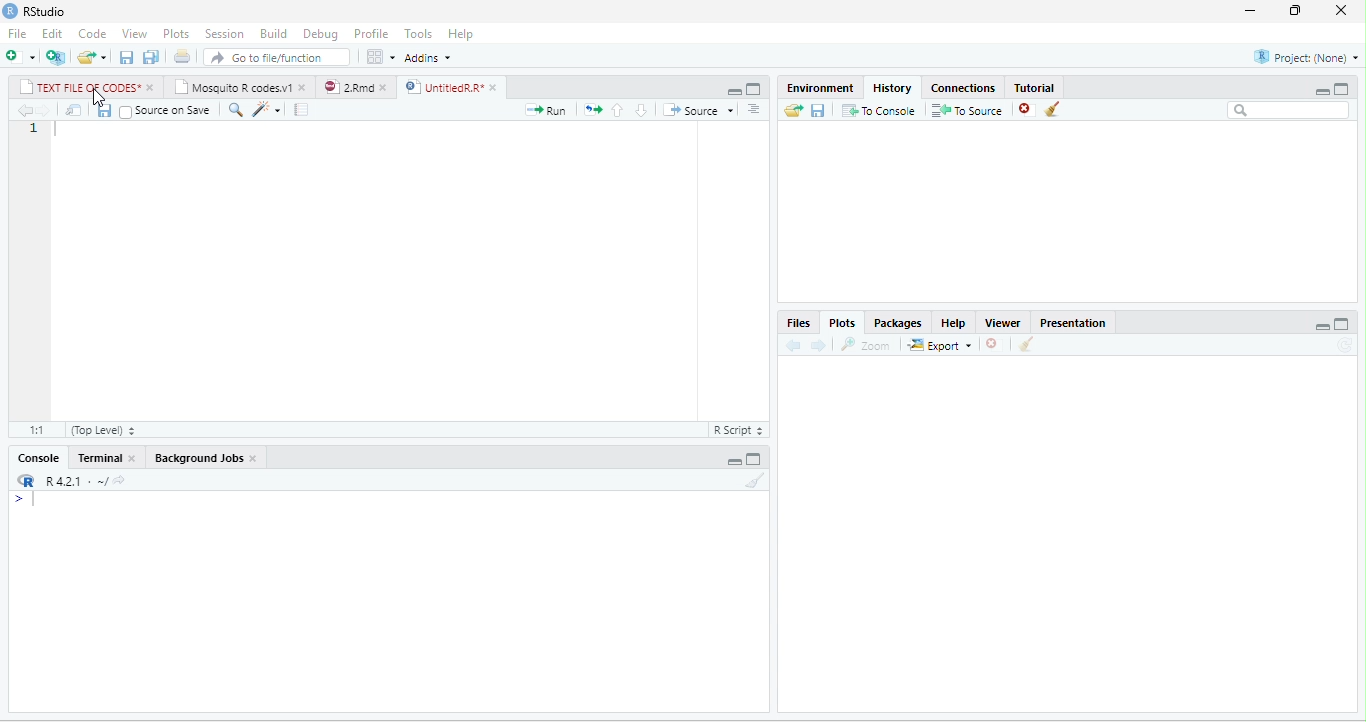 Image resolution: width=1366 pixels, height=722 pixels. I want to click on Help, so click(954, 323).